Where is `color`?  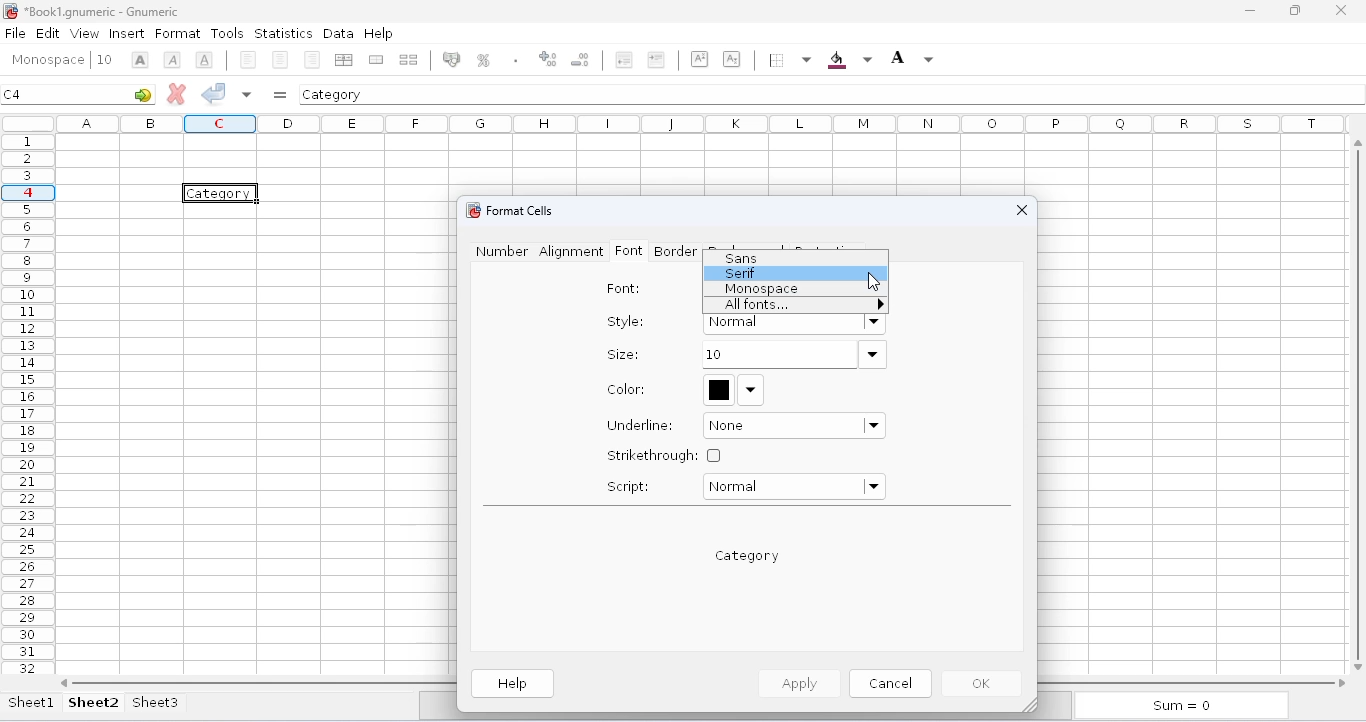
color is located at coordinates (734, 389).